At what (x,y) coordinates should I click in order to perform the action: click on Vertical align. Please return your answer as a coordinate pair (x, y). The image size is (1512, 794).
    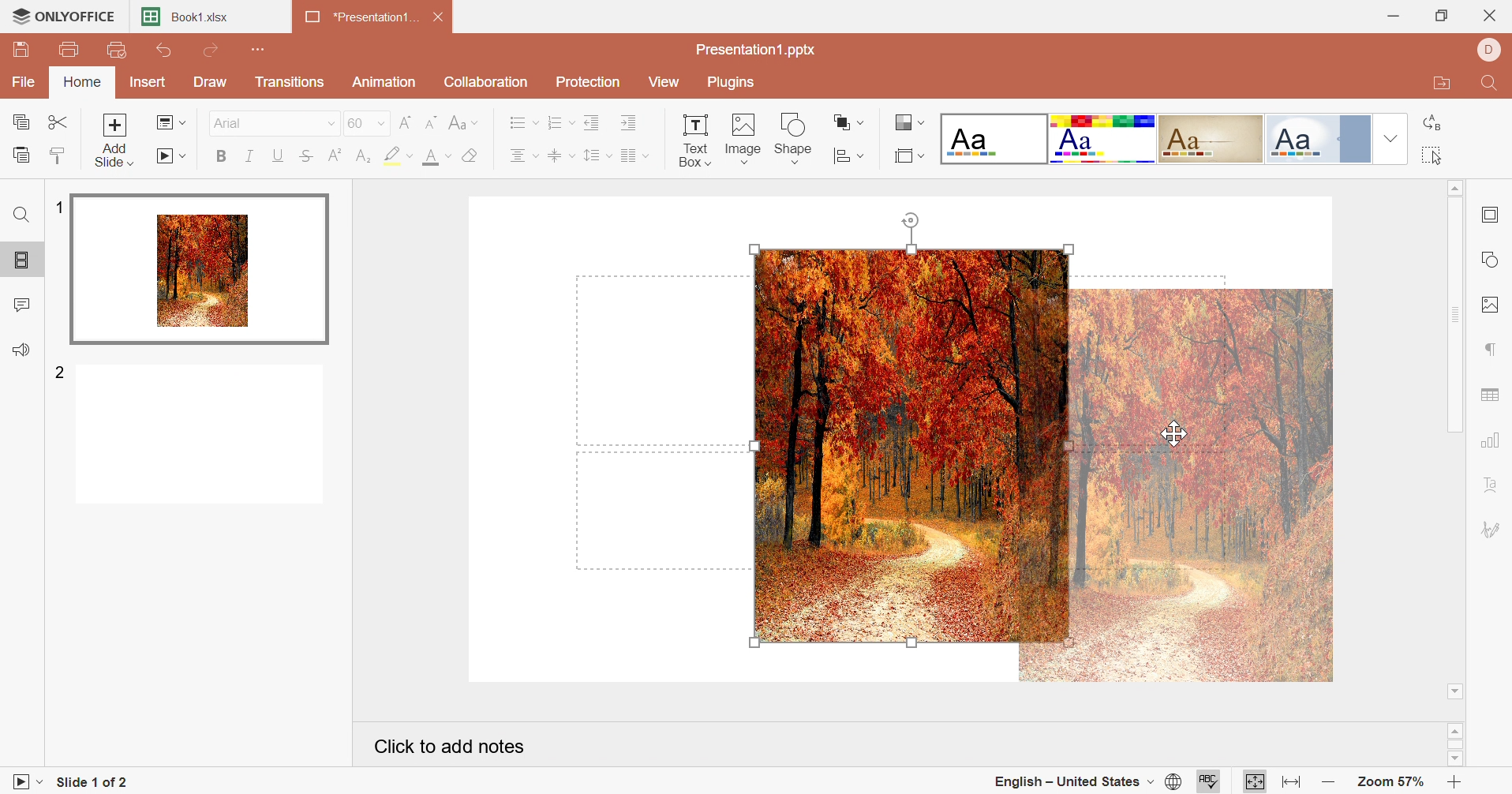
    Looking at the image, I should click on (557, 156).